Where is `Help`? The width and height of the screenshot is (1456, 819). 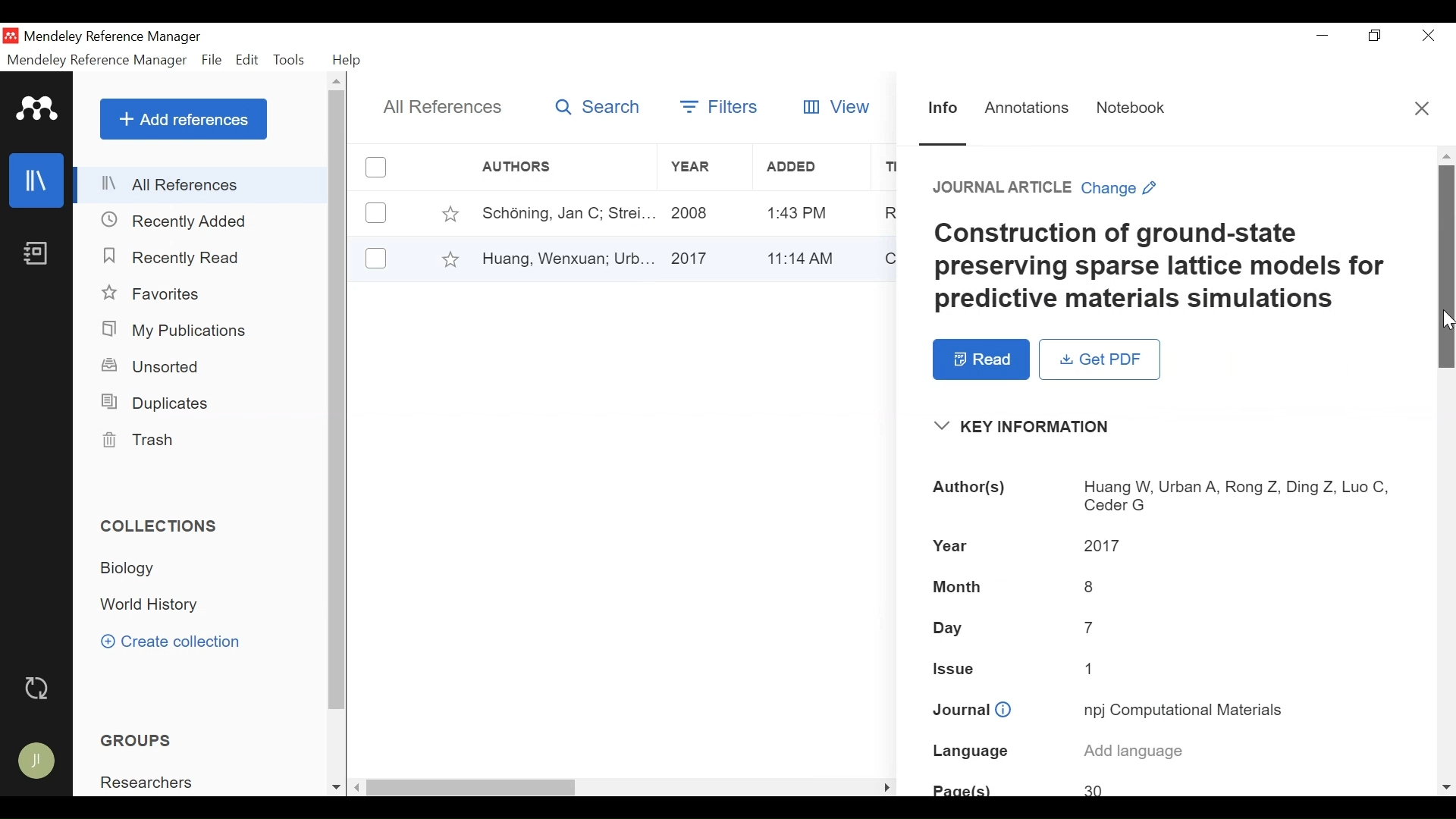
Help is located at coordinates (348, 61).